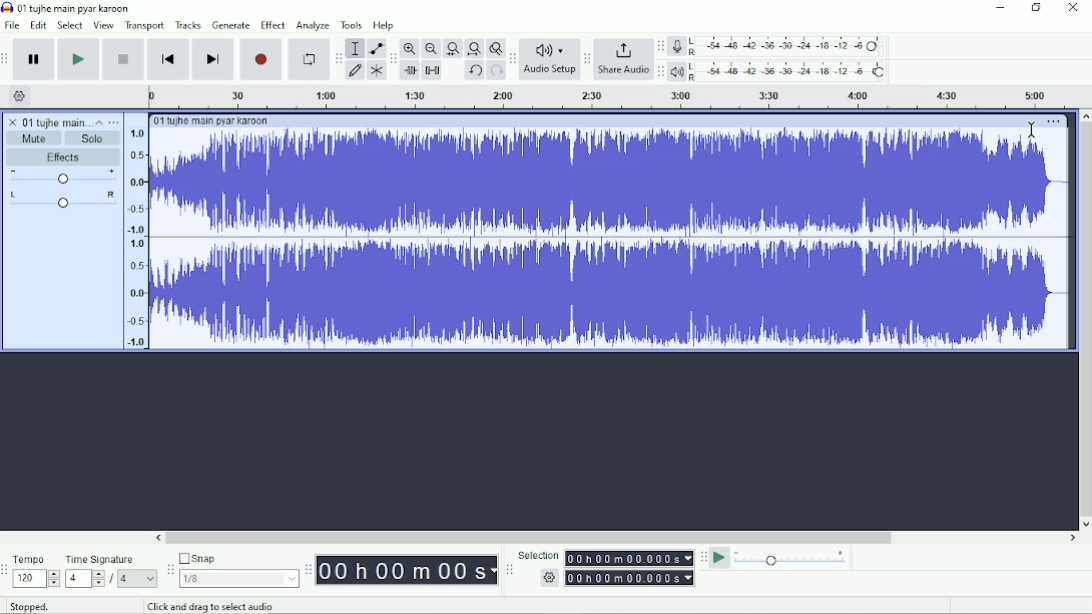 The width and height of the screenshot is (1092, 614). What do you see at coordinates (93, 139) in the screenshot?
I see `Solo` at bounding box center [93, 139].